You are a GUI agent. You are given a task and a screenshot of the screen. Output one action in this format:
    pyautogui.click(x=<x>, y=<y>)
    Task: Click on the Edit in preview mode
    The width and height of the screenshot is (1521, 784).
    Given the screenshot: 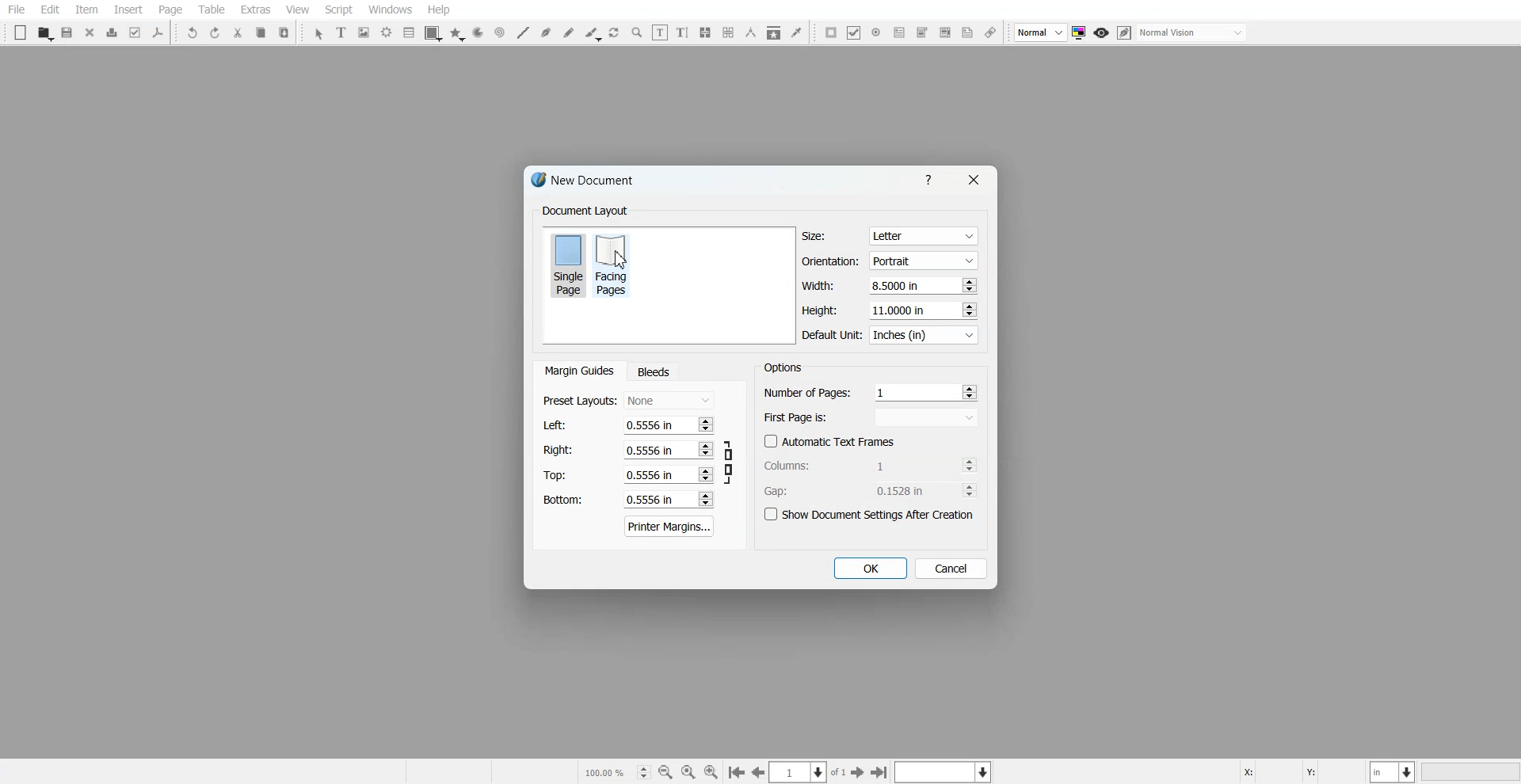 What is the action you would take?
    pyautogui.click(x=1125, y=32)
    